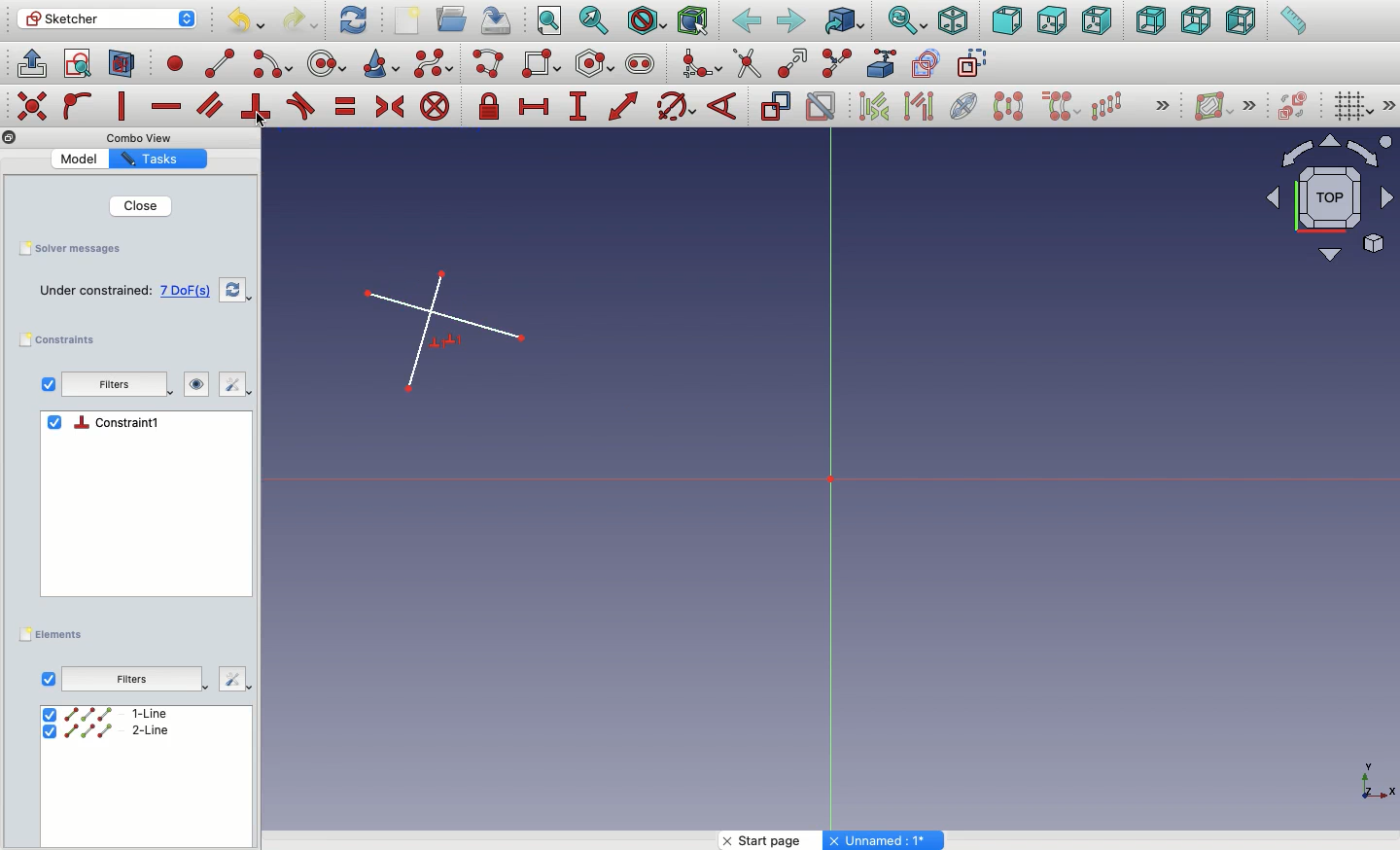 This screenshot has width=1400, height=850. What do you see at coordinates (919, 109) in the screenshot?
I see `Associated geometry` at bounding box center [919, 109].